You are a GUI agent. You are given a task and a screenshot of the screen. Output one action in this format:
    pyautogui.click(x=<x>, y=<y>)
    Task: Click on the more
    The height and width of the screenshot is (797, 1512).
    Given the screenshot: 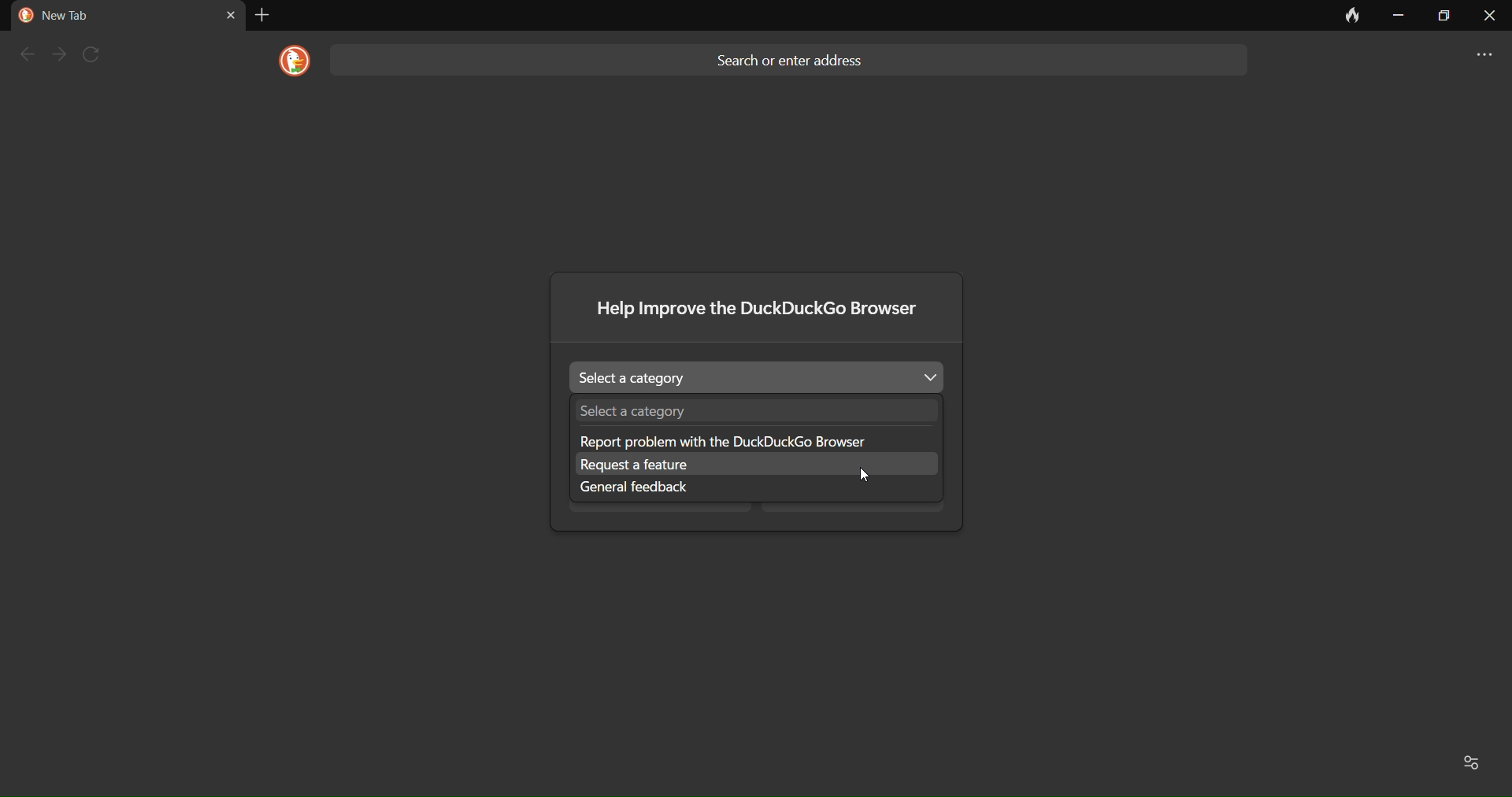 What is the action you would take?
    pyautogui.click(x=1476, y=57)
    